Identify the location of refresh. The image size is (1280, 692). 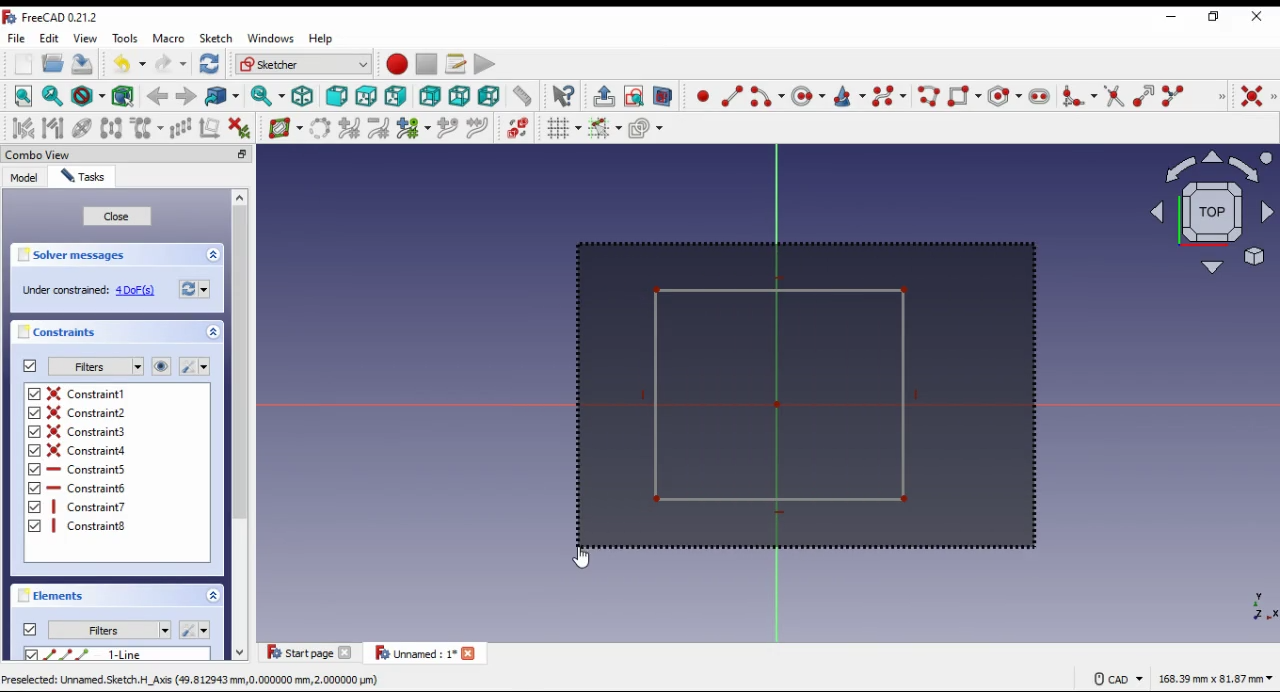
(210, 63).